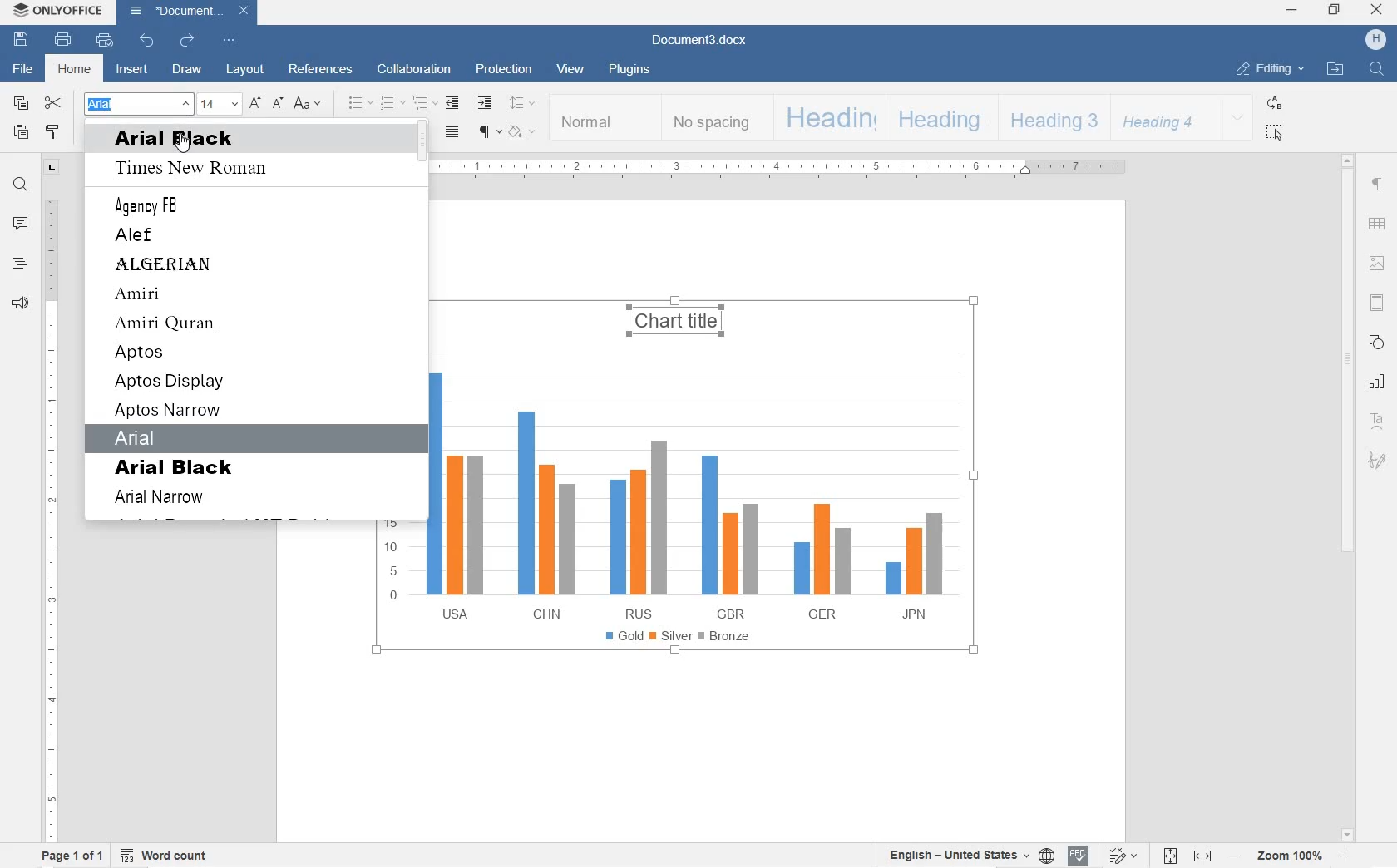 Image resolution: width=1397 pixels, height=868 pixels. Describe the element at coordinates (1377, 224) in the screenshot. I see `TABLE SETTINGS` at that location.